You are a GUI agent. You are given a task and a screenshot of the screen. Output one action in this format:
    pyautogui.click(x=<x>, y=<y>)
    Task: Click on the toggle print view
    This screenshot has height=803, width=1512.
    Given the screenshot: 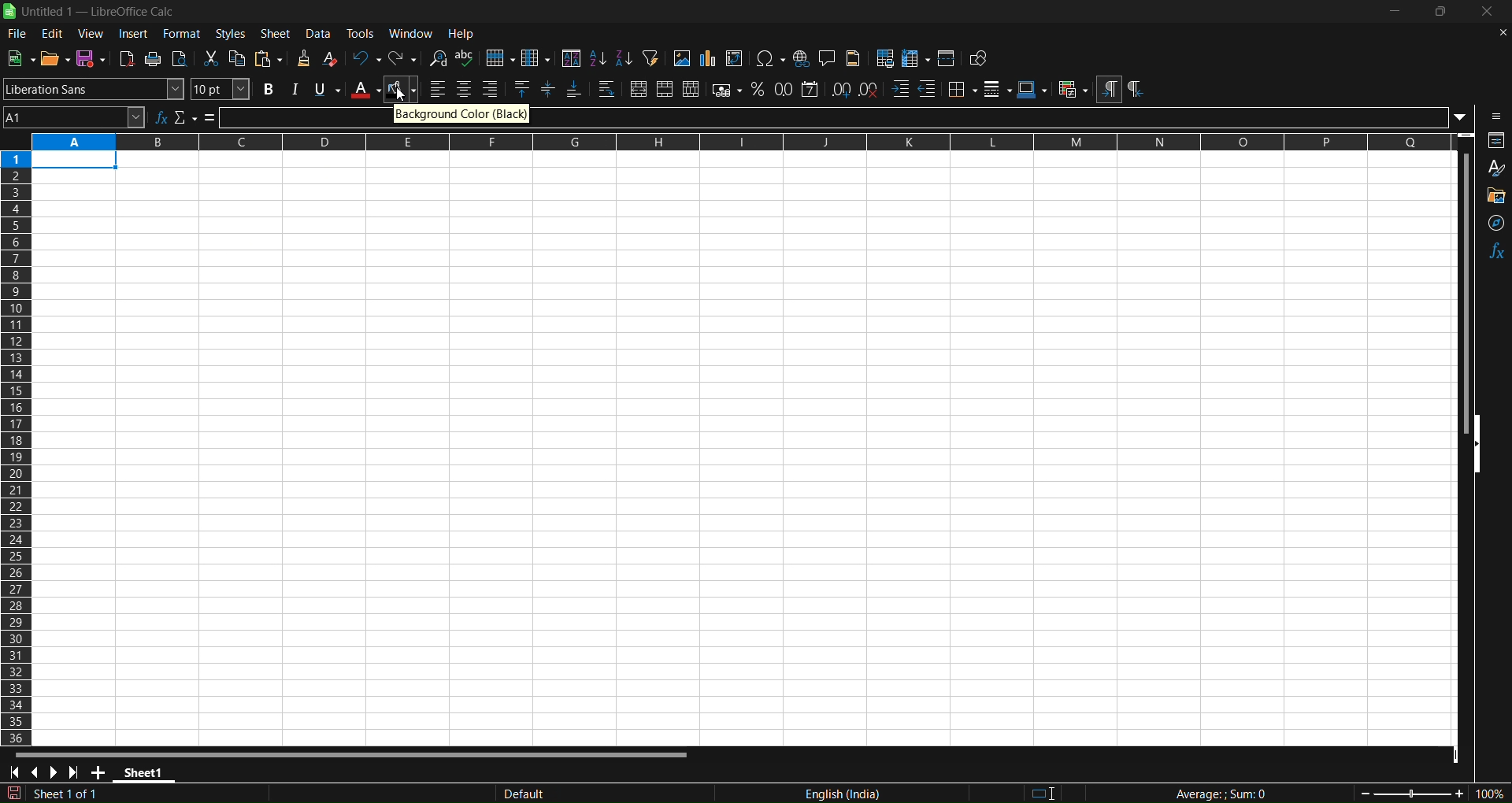 What is the action you would take?
    pyautogui.click(x=181, y=57)
    